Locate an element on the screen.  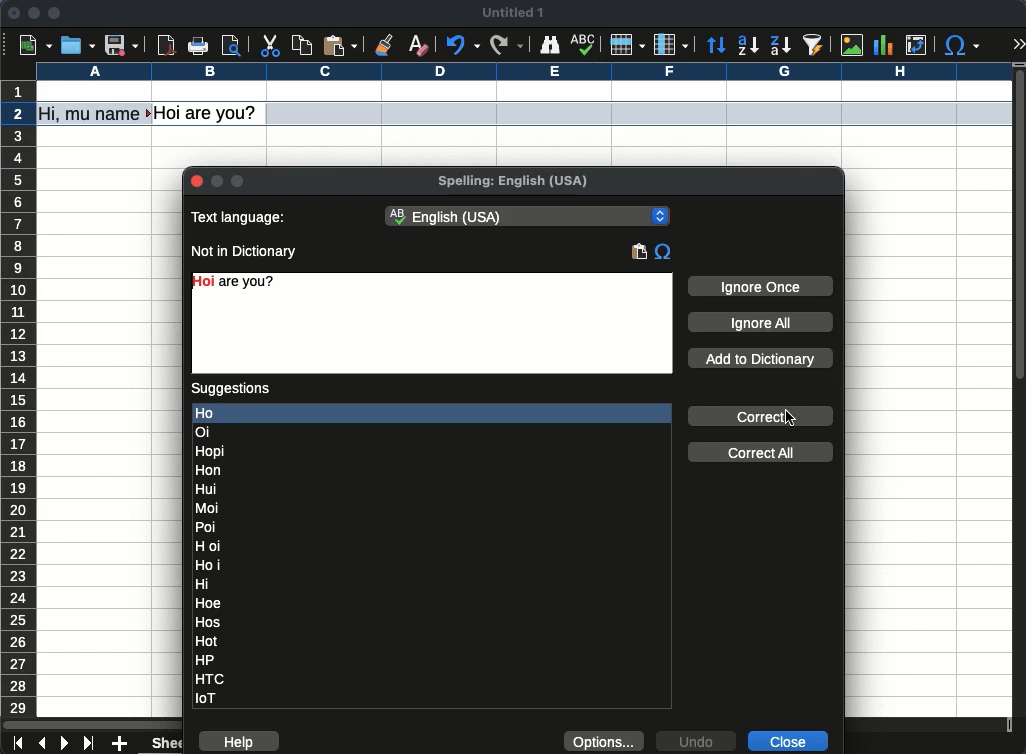
chart is located at coordinates (882, 45).